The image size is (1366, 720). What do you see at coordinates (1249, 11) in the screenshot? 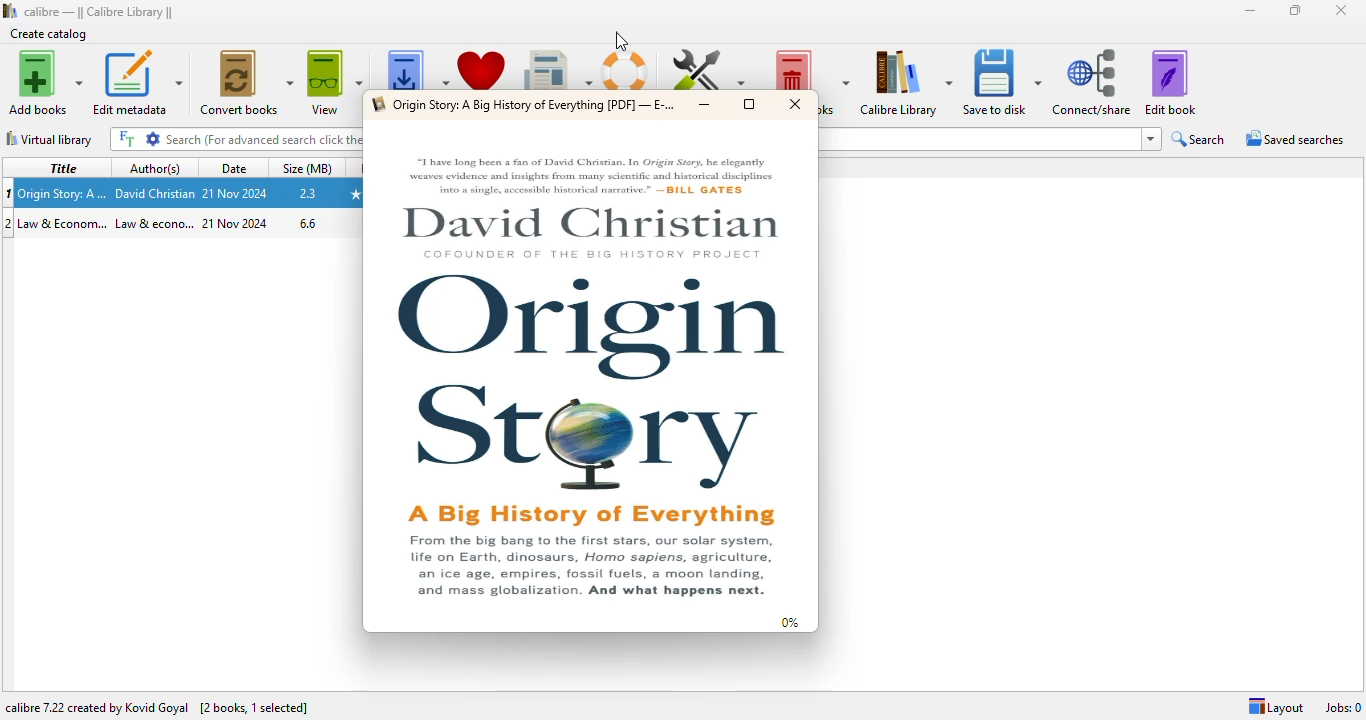
I see `minimize` at bounding box center [1249, 11].